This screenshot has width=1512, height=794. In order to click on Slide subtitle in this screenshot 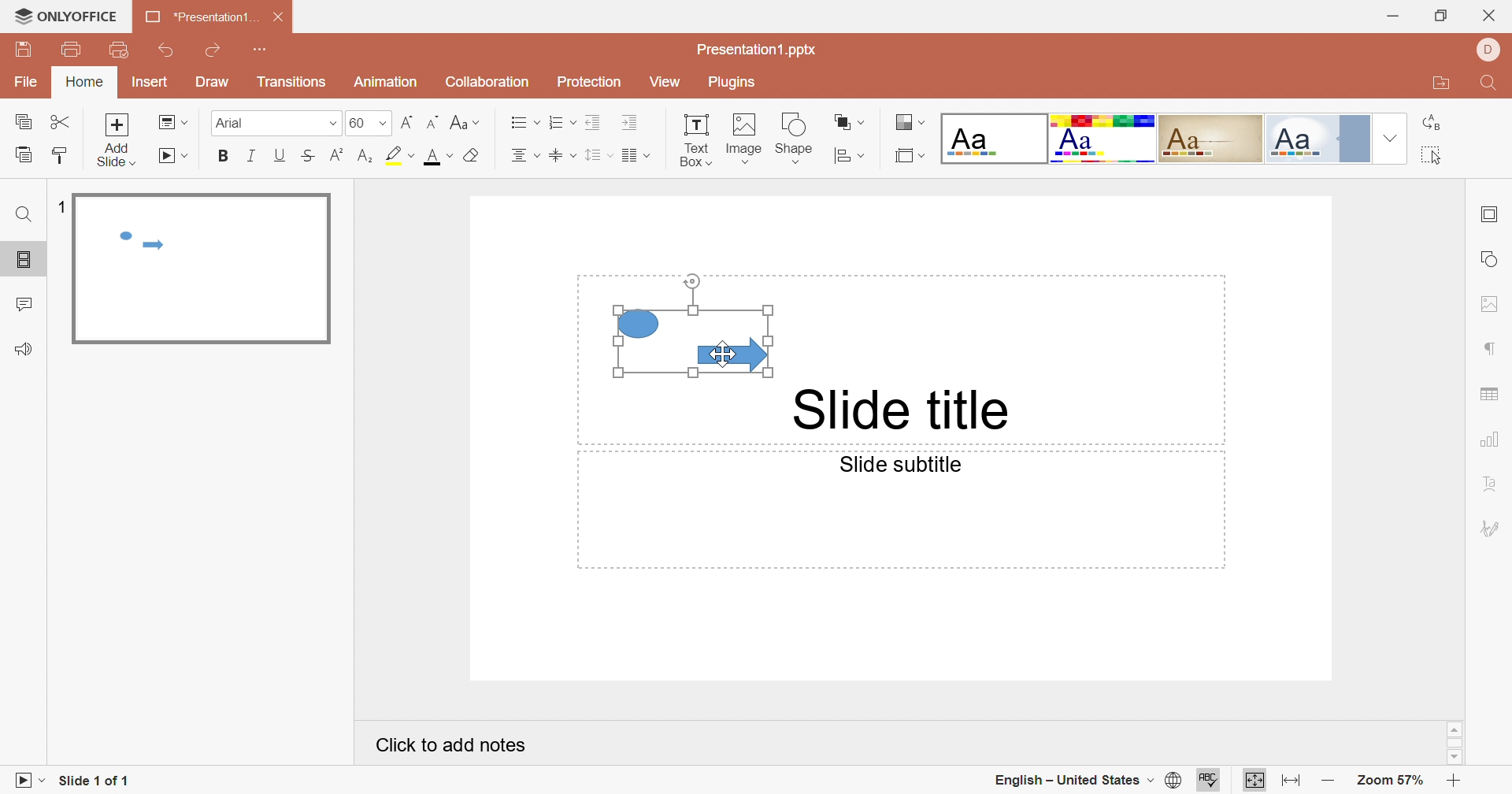, I will do `click(895, 467)`.